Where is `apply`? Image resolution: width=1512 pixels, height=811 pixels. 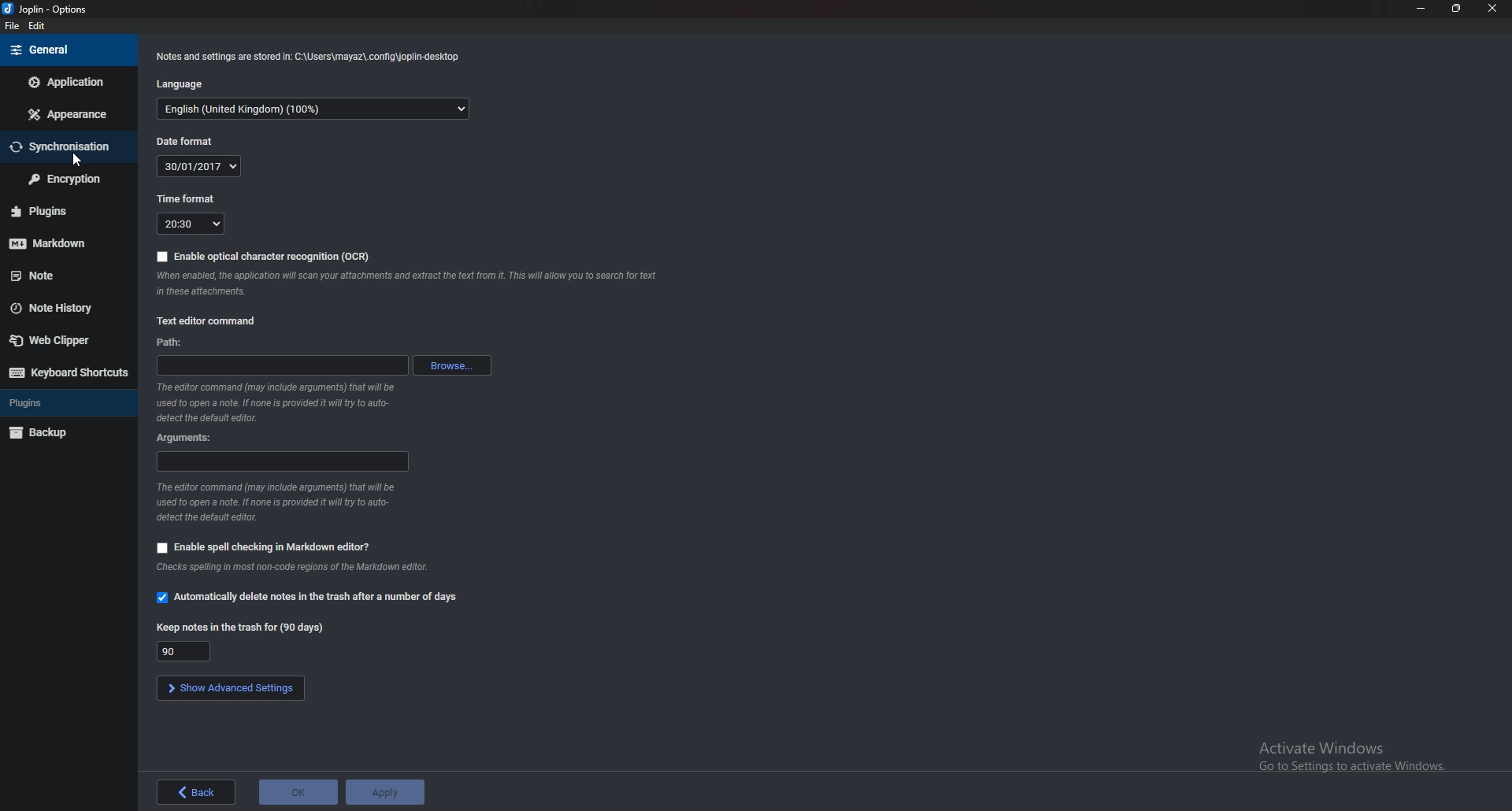
apply is located at coordinates (385, 790).